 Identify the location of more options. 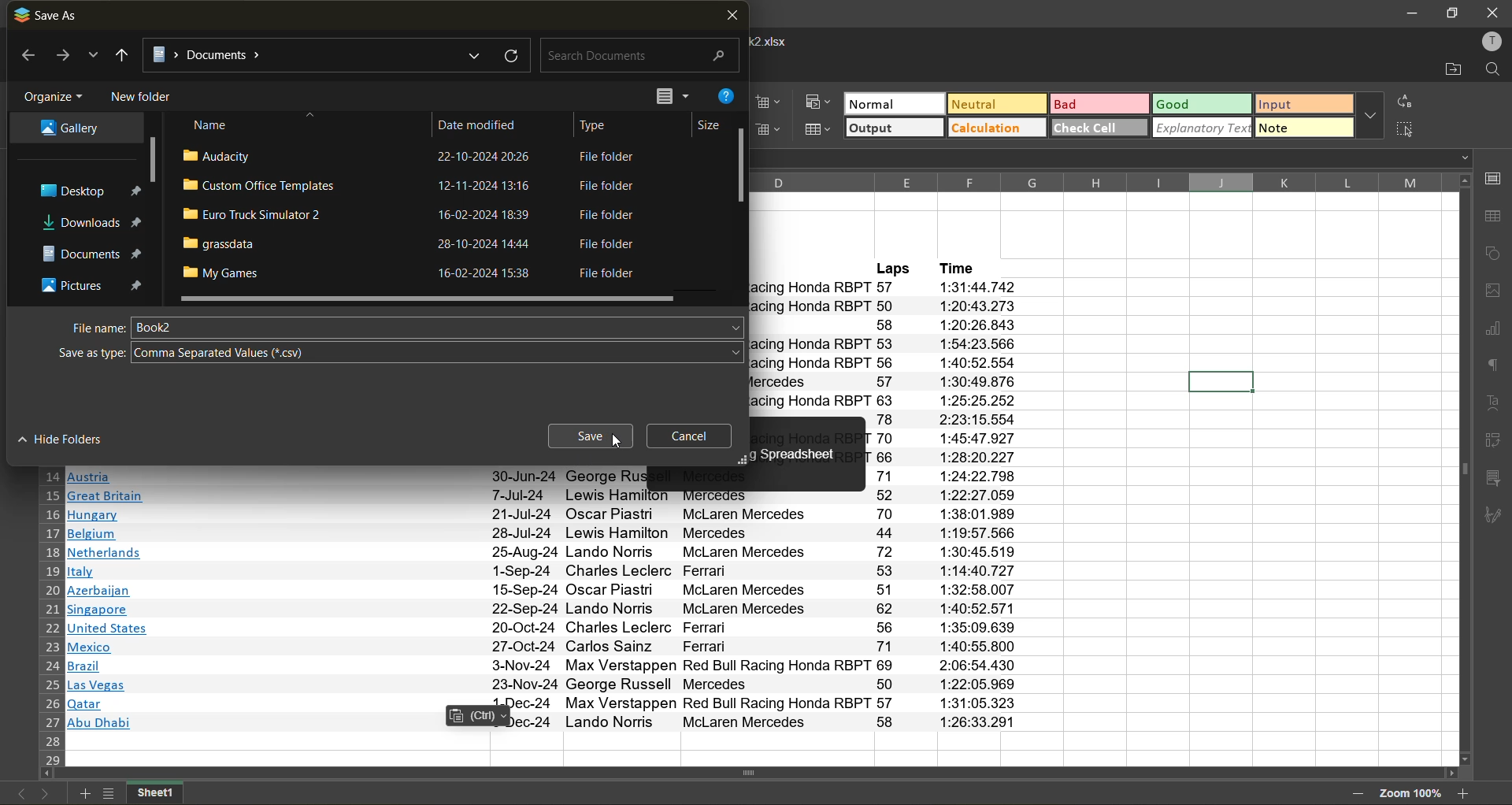
(1370, 115).